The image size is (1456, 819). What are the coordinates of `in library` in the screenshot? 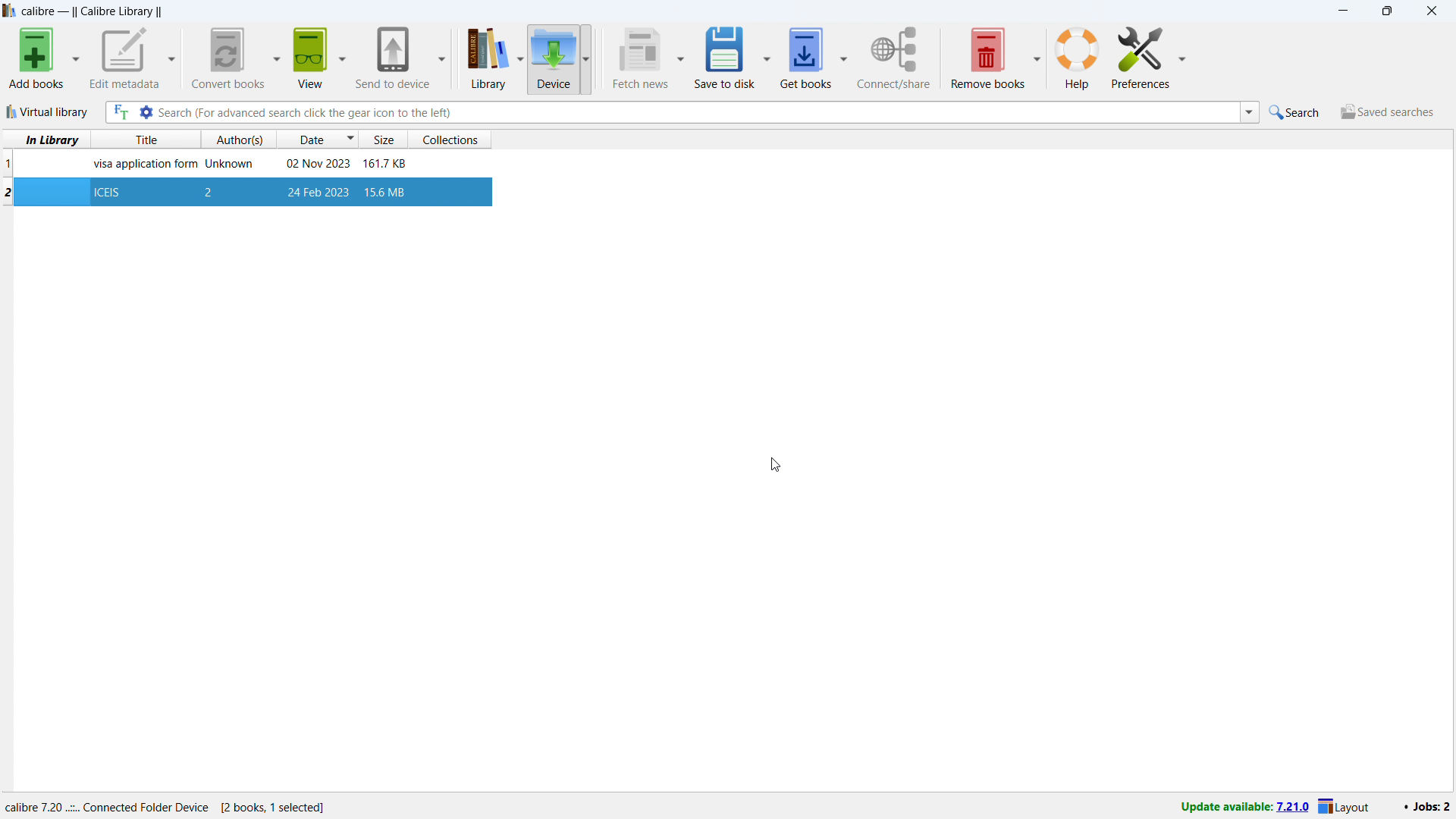 It's located at (47, 140).